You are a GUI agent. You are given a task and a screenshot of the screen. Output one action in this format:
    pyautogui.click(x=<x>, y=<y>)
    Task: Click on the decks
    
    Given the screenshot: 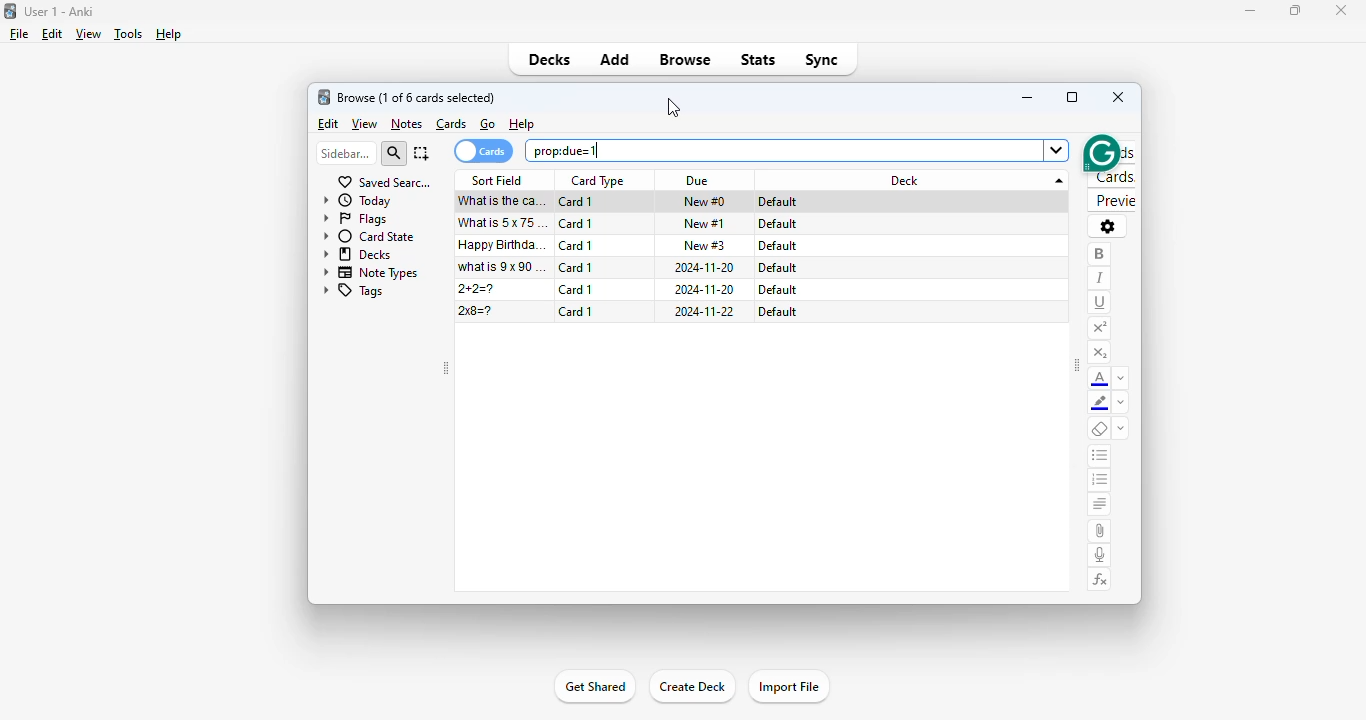 What is the action you would take?
    pyautogui.click(x=550, y=59)
    